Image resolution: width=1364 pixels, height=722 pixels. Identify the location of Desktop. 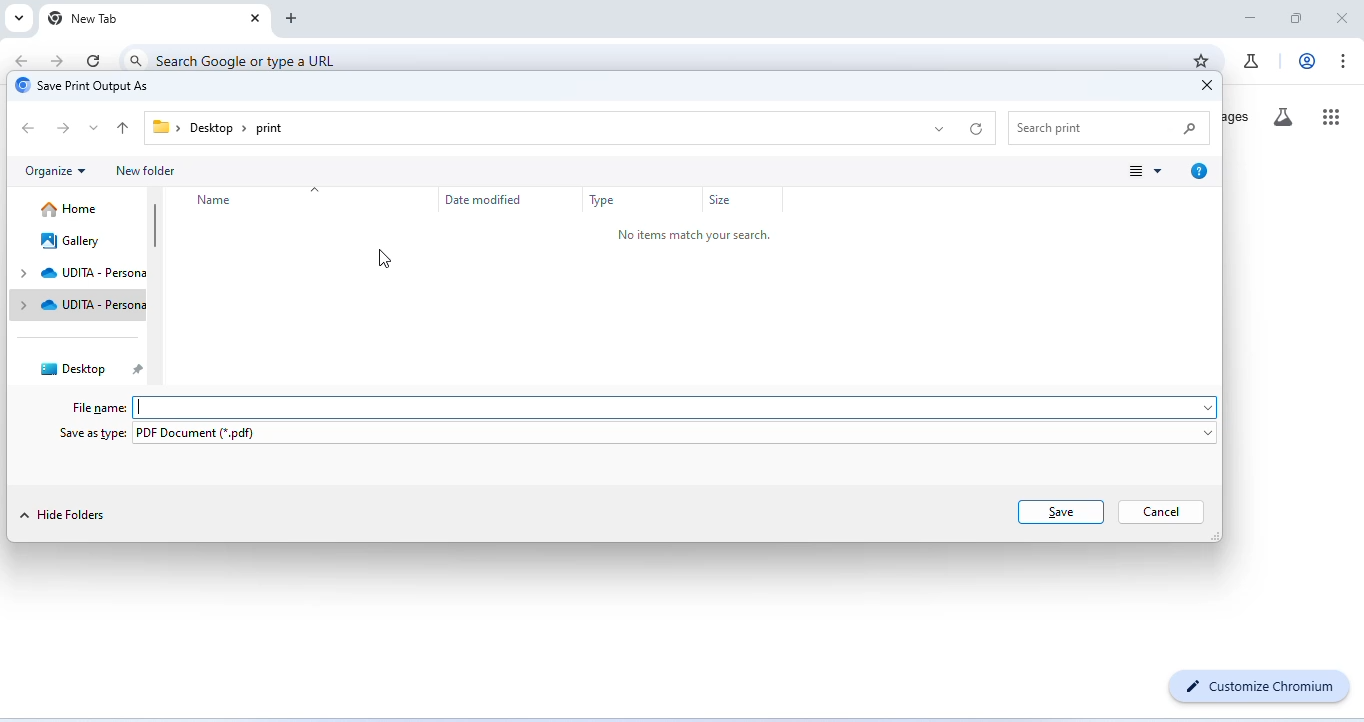
(211, 129).